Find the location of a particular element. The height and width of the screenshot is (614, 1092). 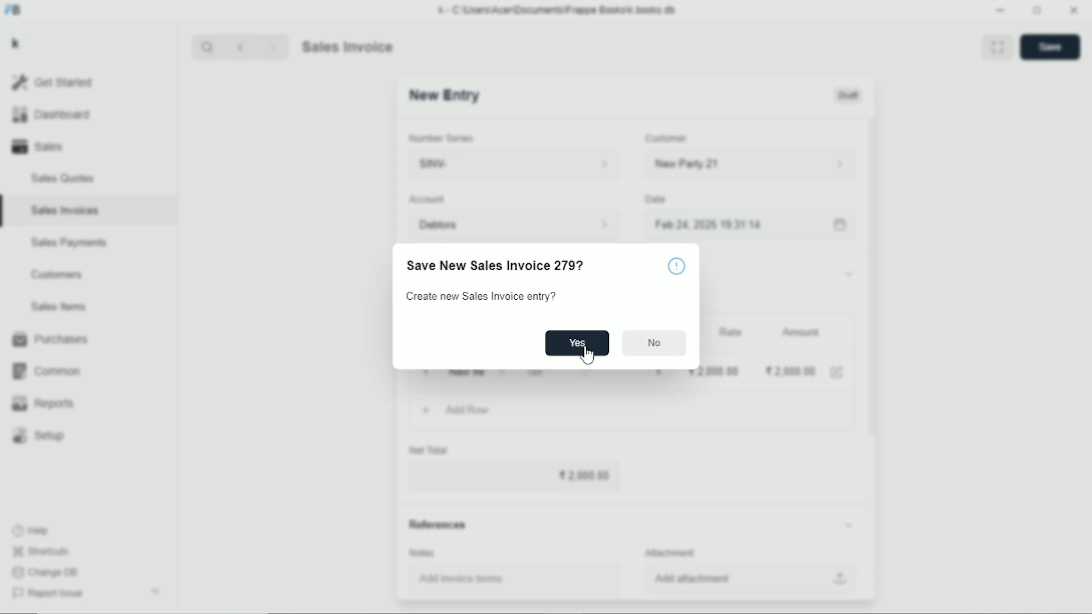

! is located at coordinates (676, 266).